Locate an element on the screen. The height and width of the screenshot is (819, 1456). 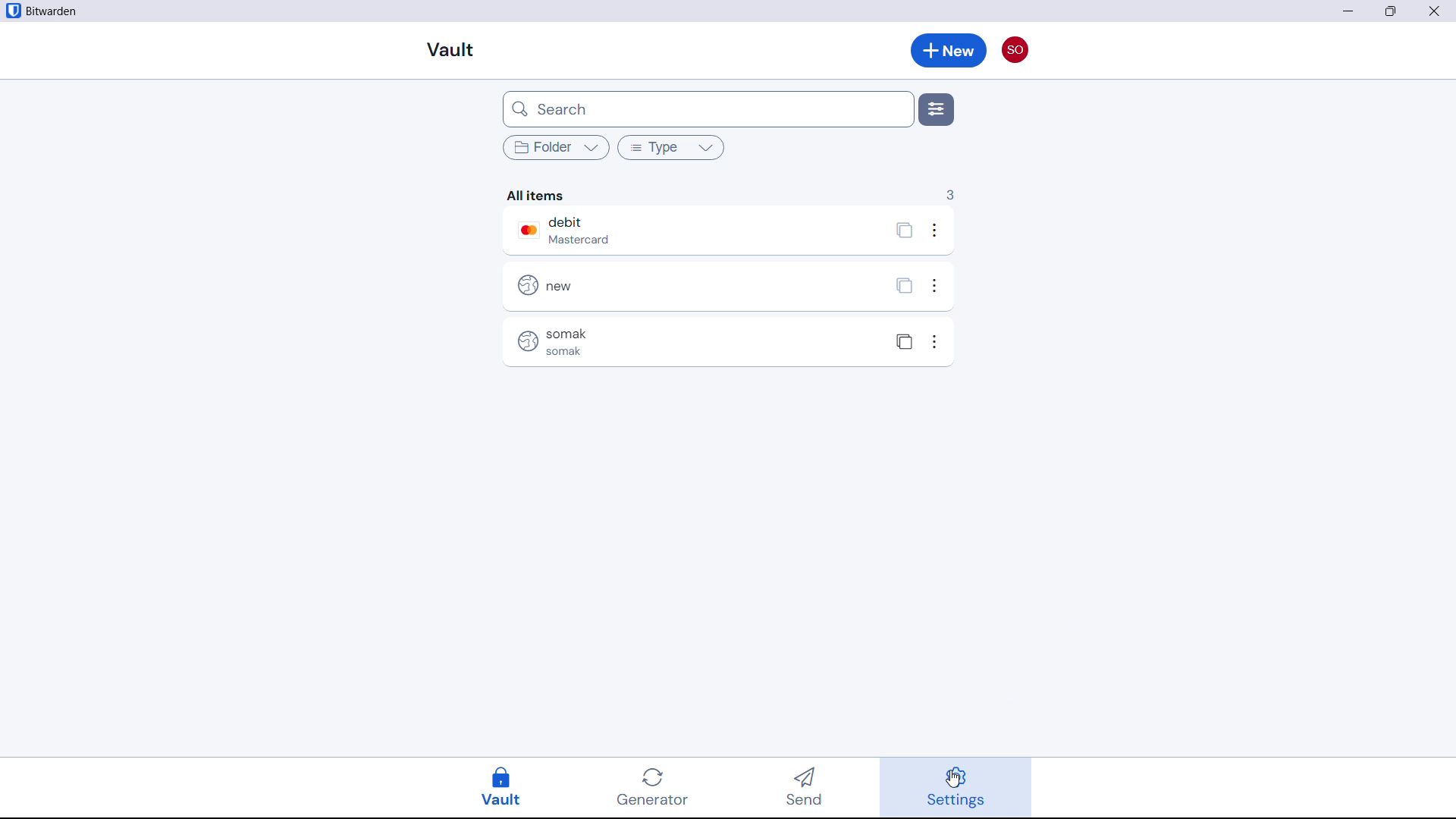
Vault  is located at coordinates (510, 787).